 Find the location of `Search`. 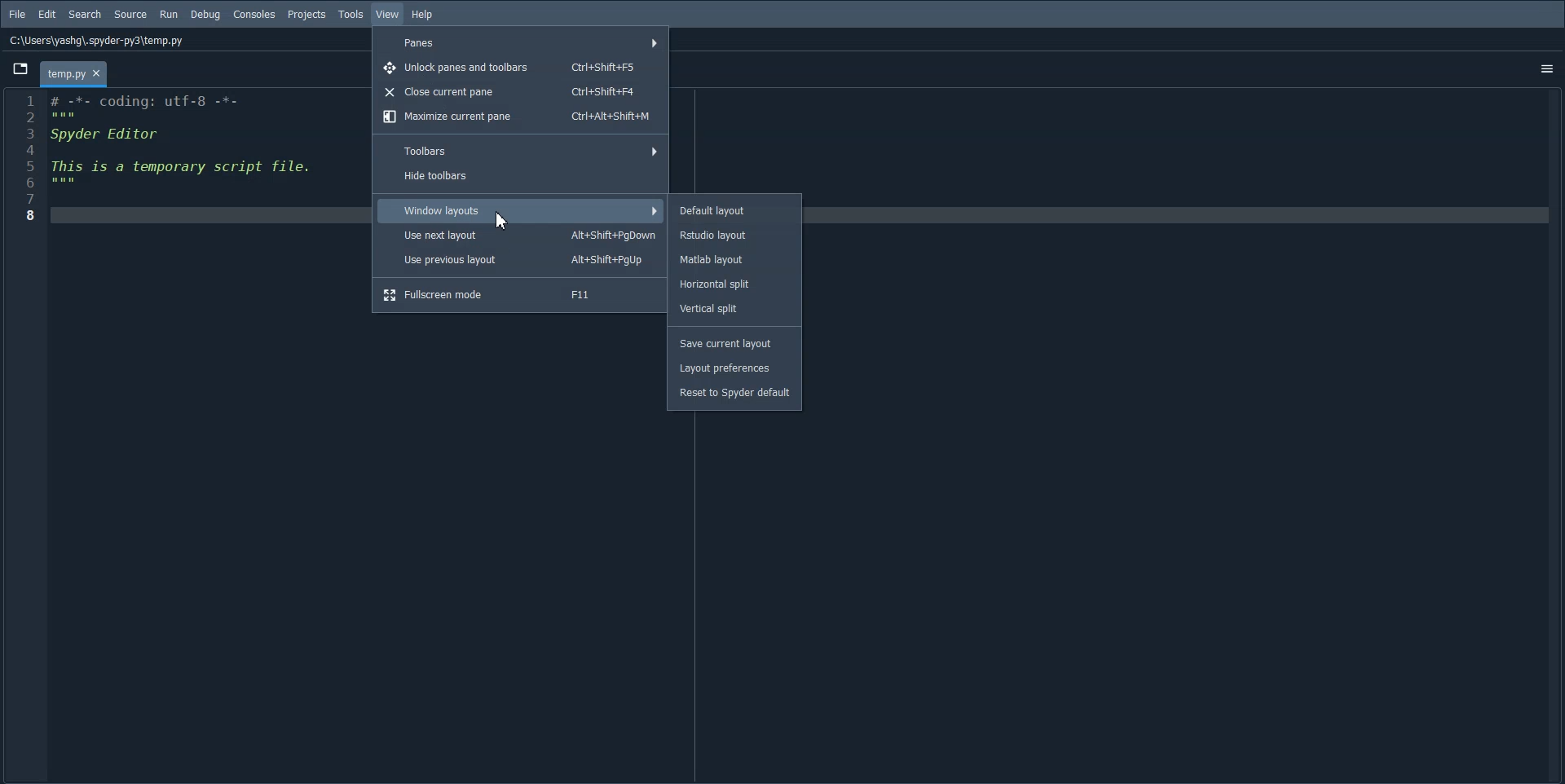

Search is located at coordinates (85, 15).